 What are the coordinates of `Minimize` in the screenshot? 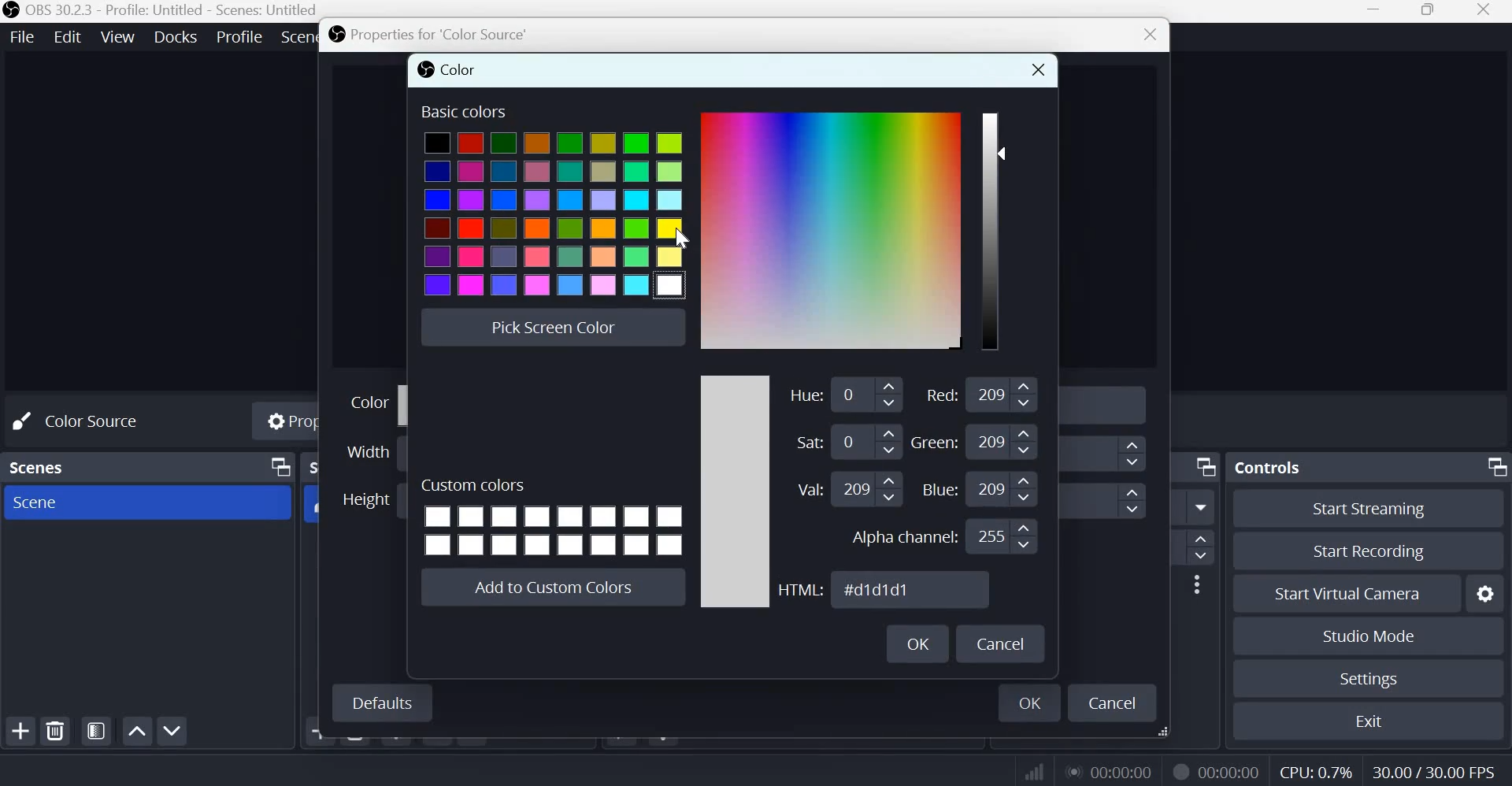 It's located at (1373, 13).